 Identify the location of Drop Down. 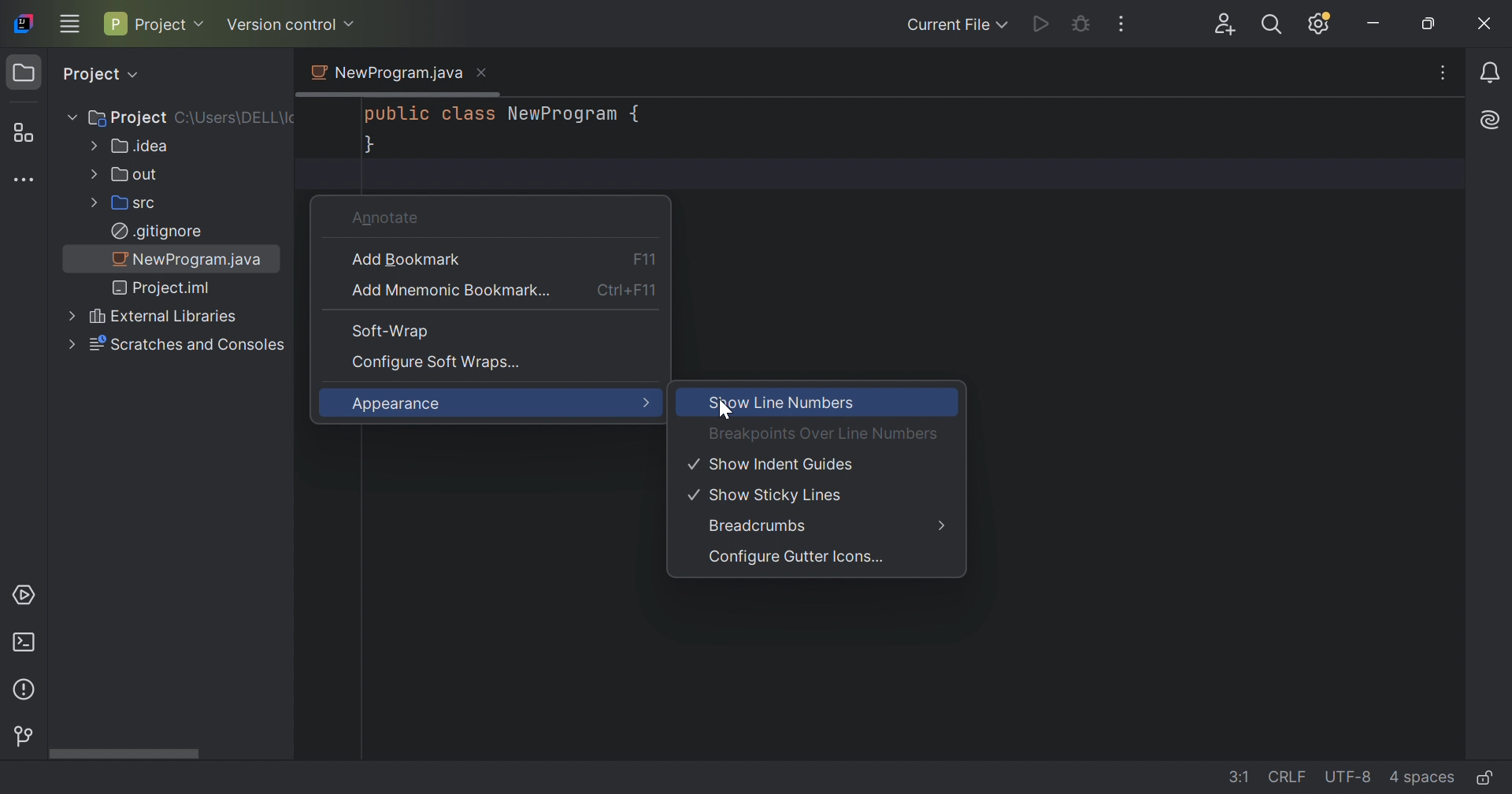
(202, 24).